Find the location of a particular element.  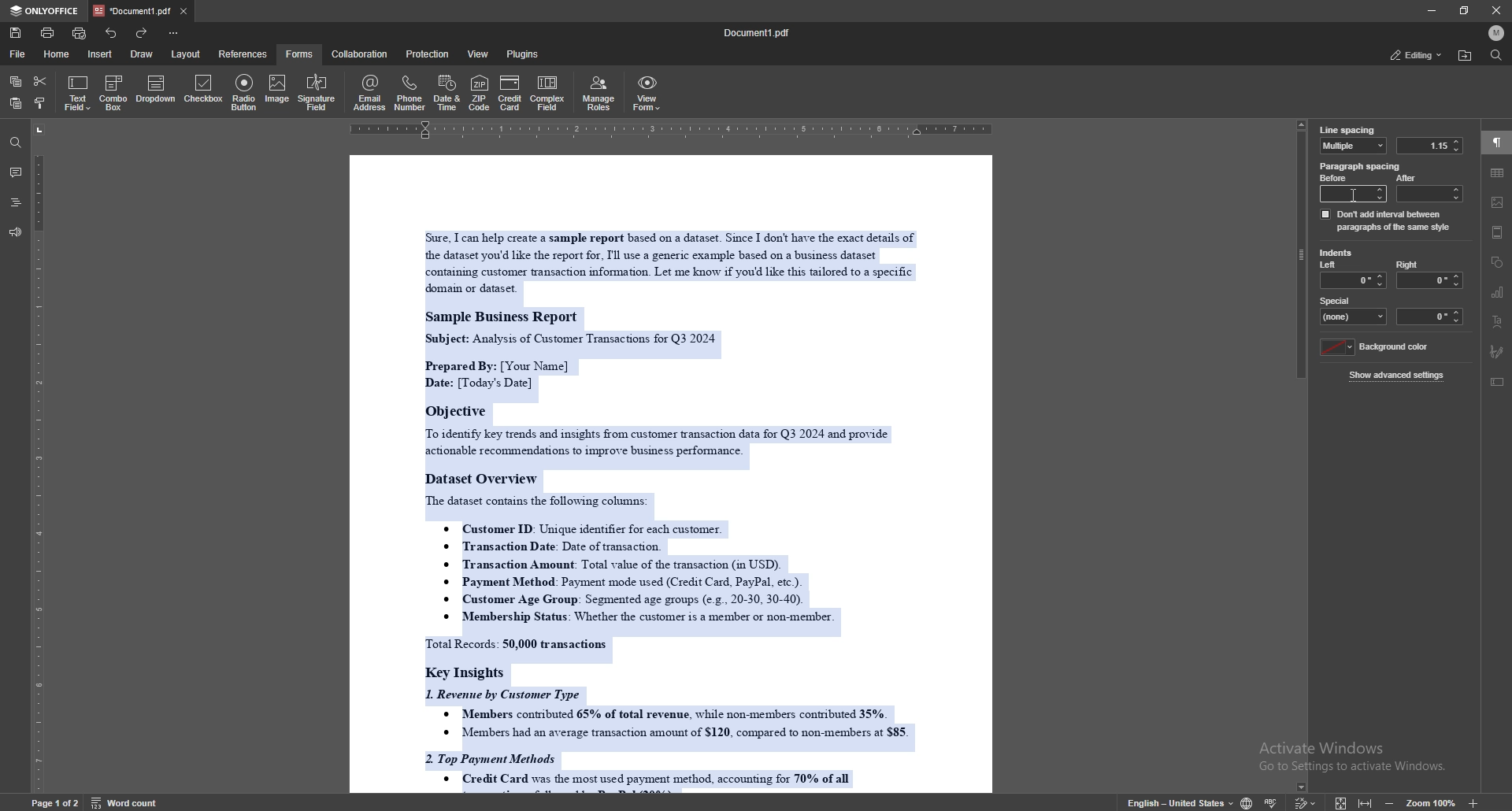

signature field is located at coordinates (317, 94).